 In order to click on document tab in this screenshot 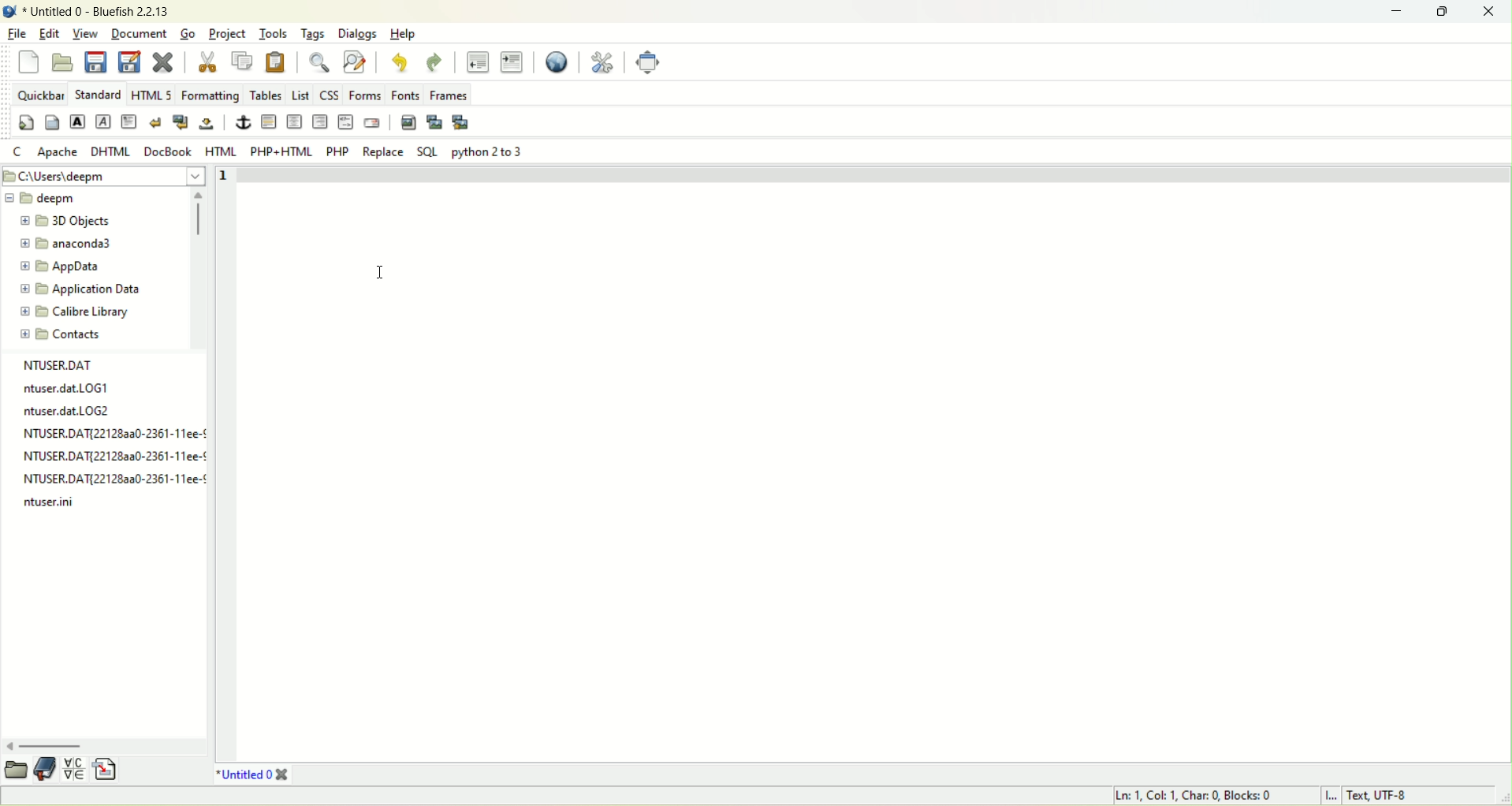, I will do `click(243, 775)`.